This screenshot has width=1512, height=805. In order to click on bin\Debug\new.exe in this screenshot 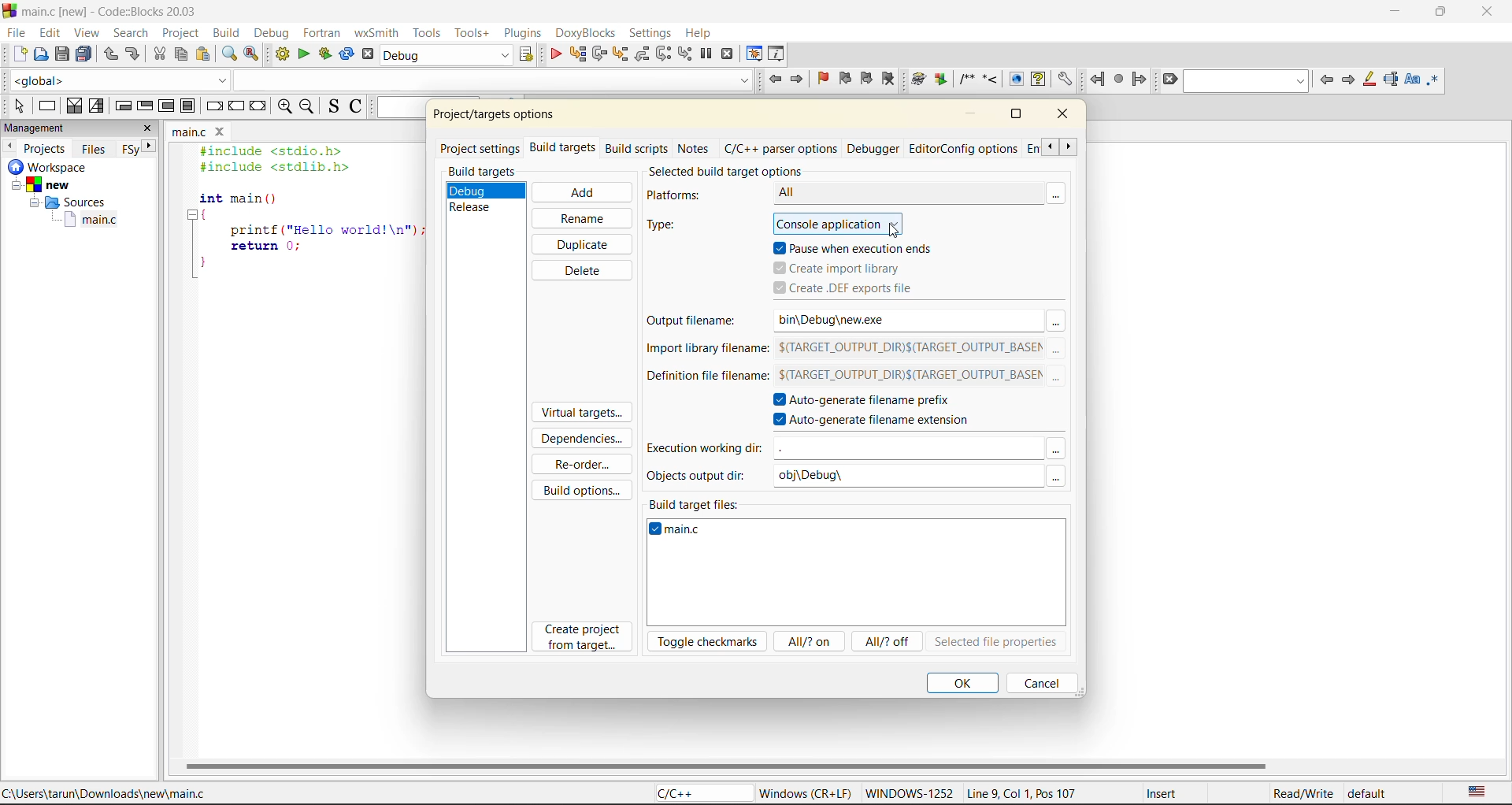, I will do `click(902, 321)`.